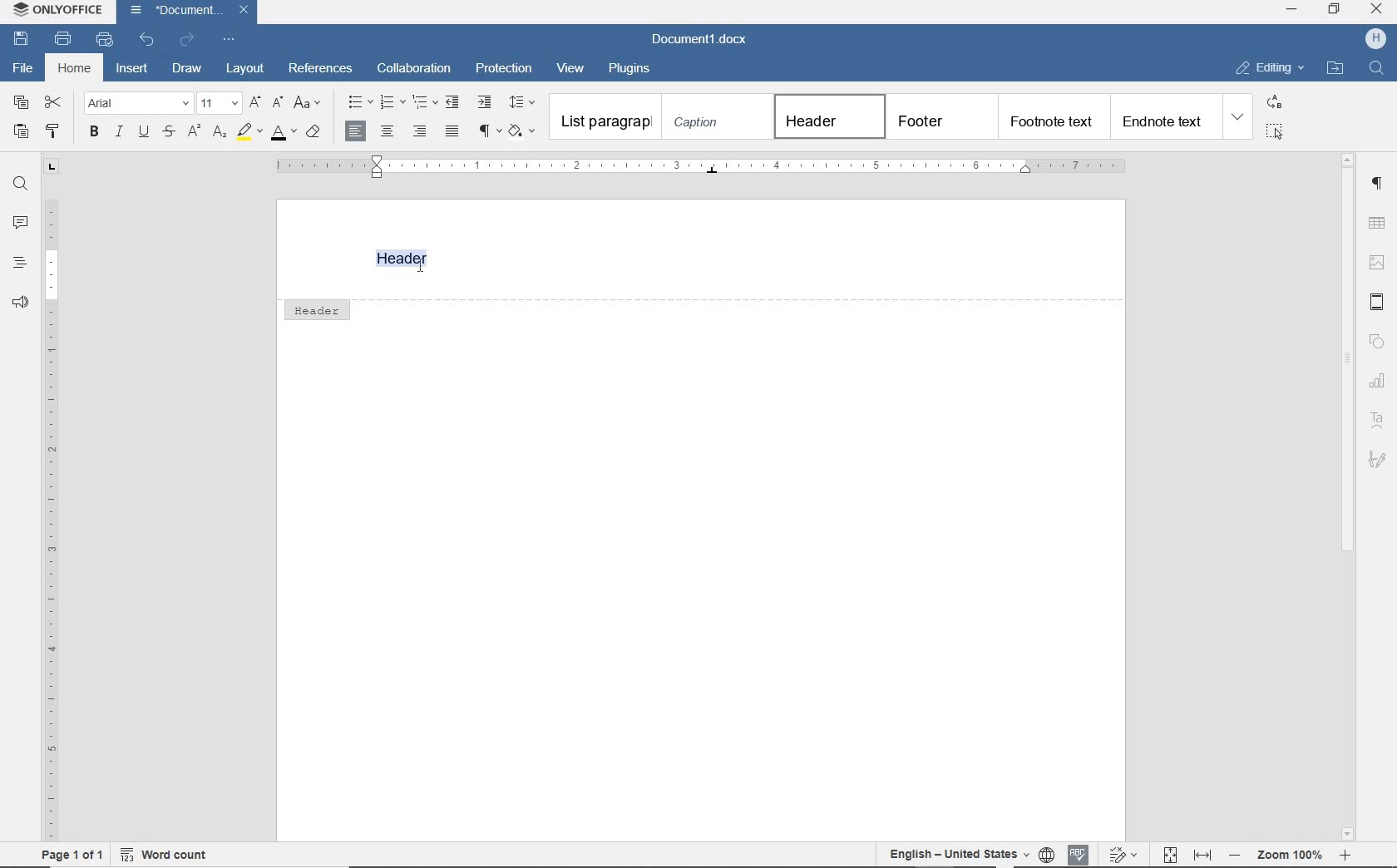  What do you see at coordinates (422, 131) in the screenshot?
I see `align right` at bounding box center [422, 131].